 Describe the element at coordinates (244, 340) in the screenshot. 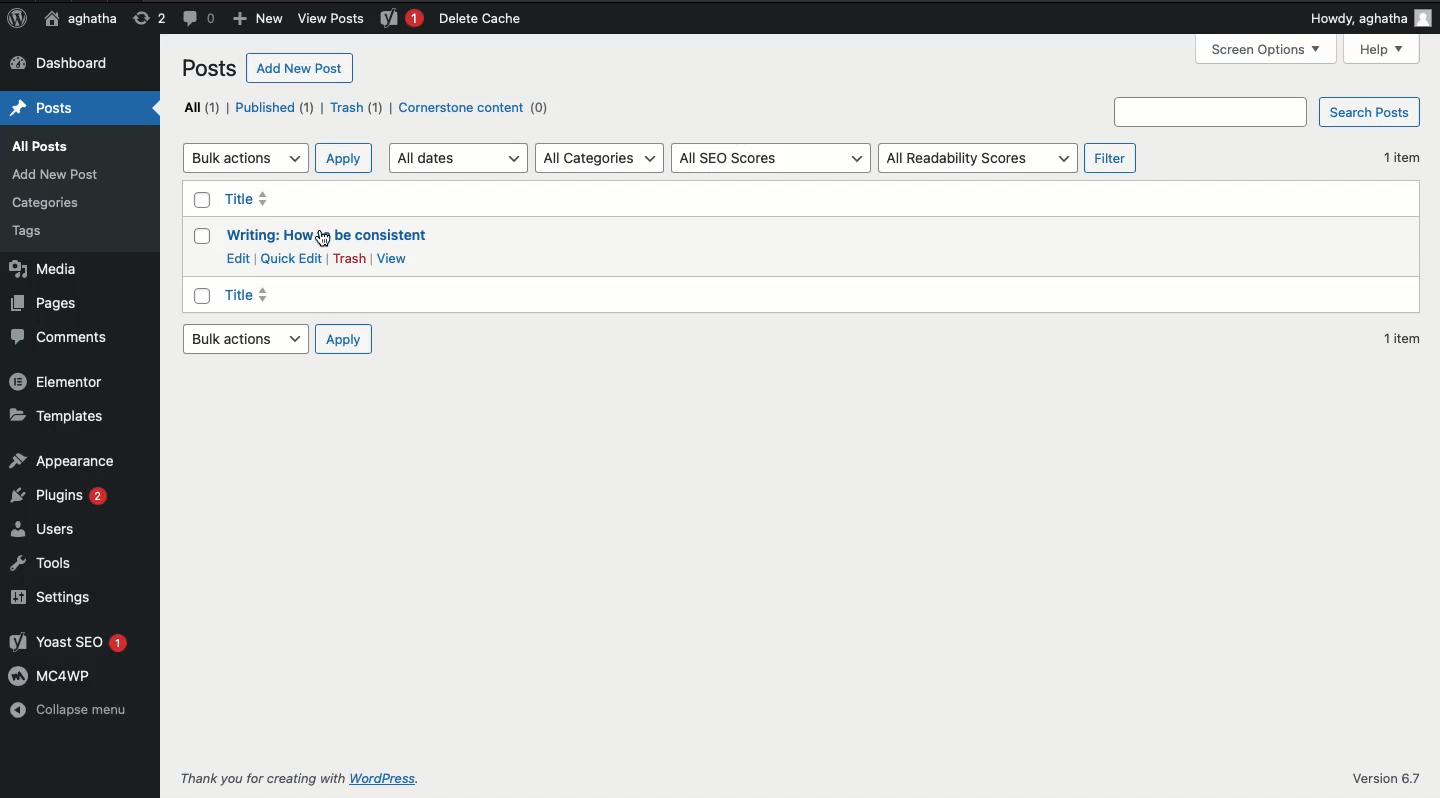

I see `Bulk actions` at that location.